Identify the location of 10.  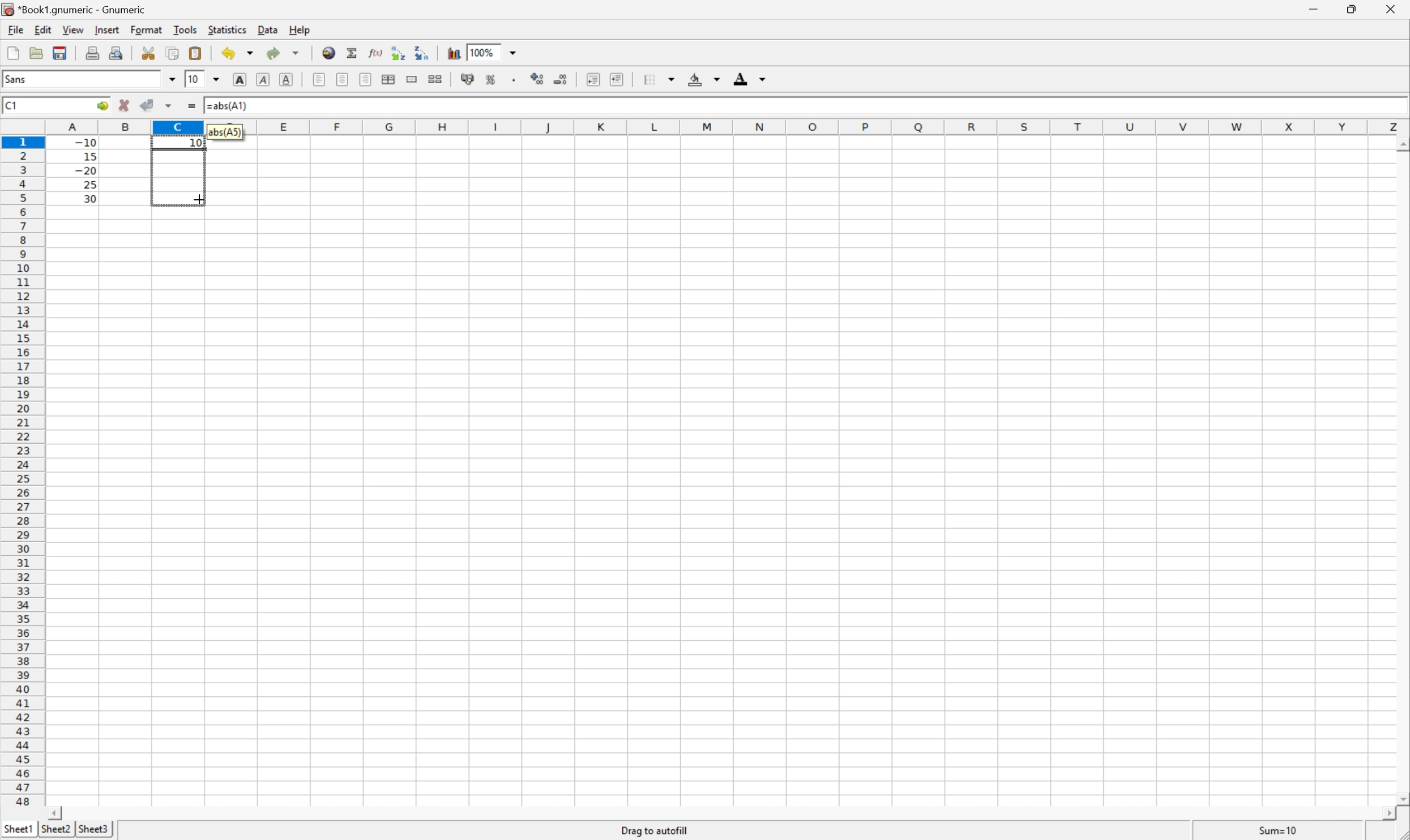
(193, 79).